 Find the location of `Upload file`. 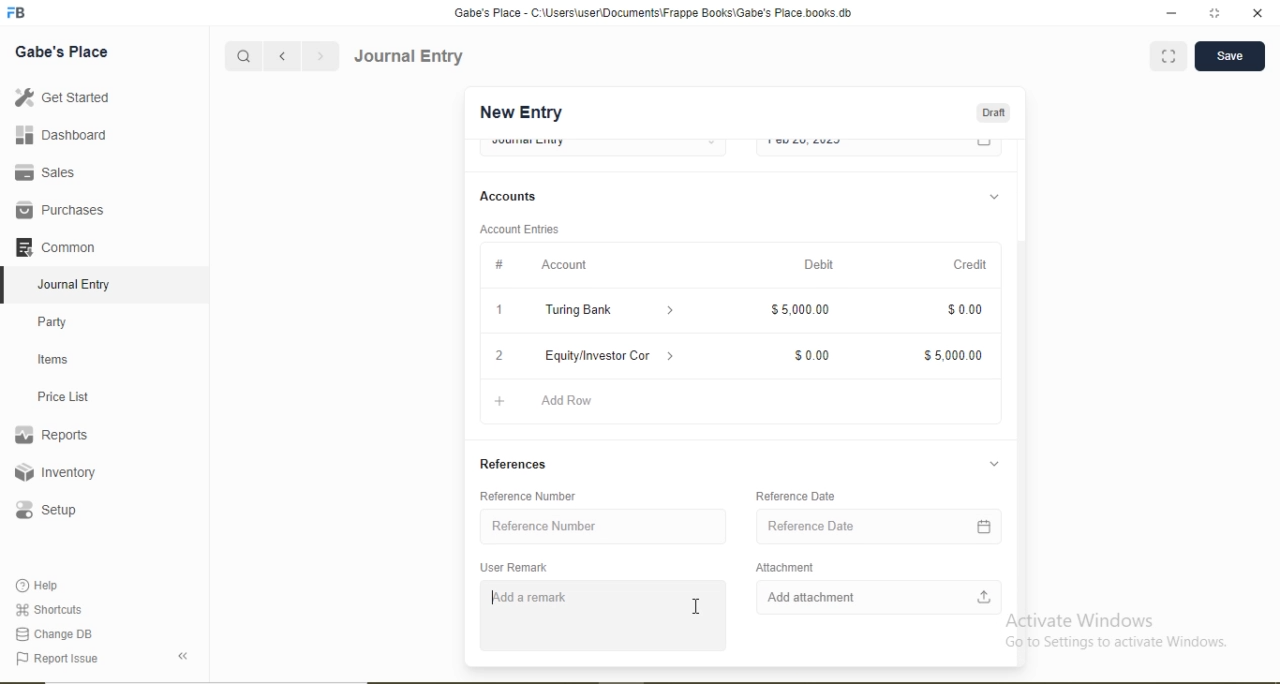

Upload file is located at coordinates (985, 596).